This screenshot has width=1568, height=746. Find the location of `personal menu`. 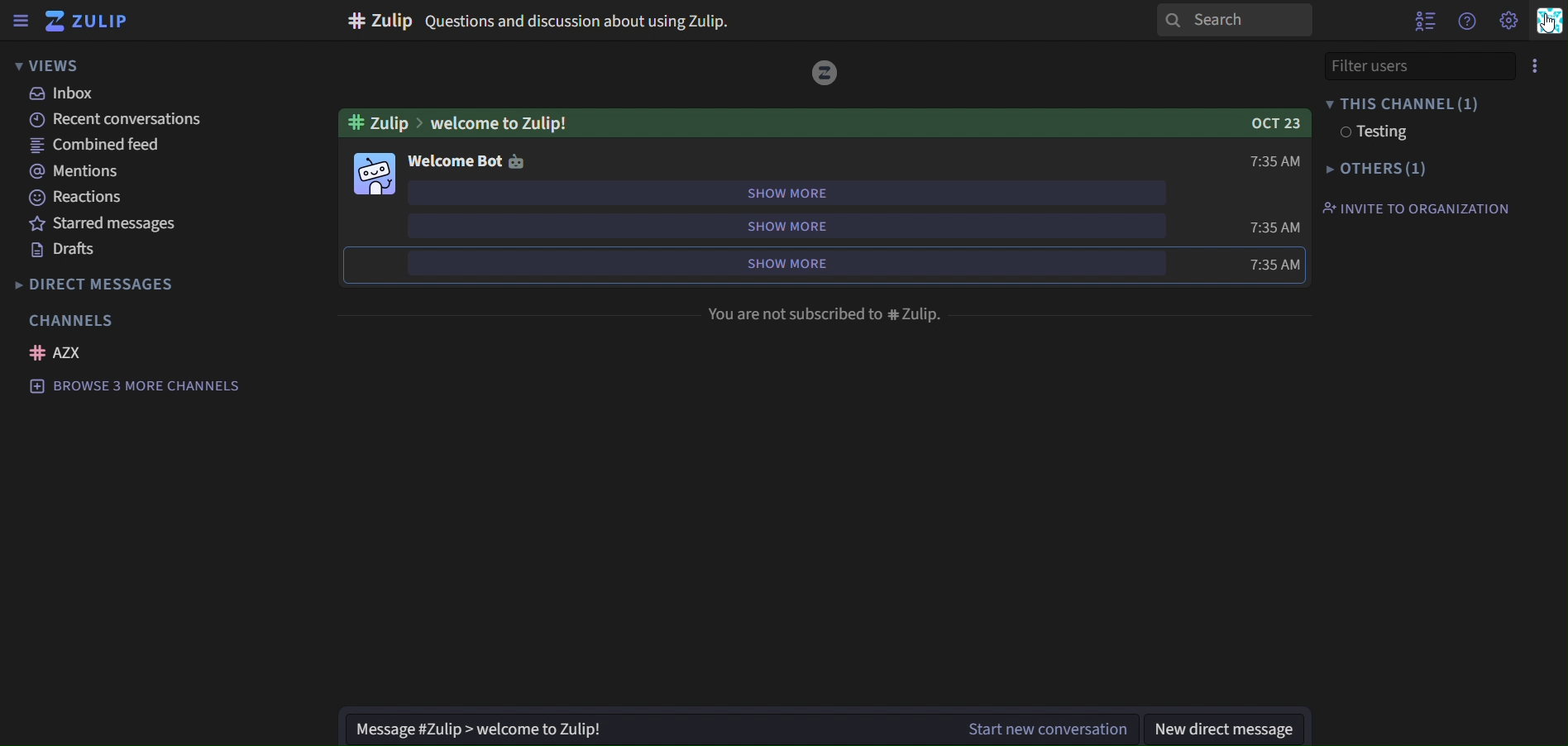

personal menu is located at coordinates (1547, 22).